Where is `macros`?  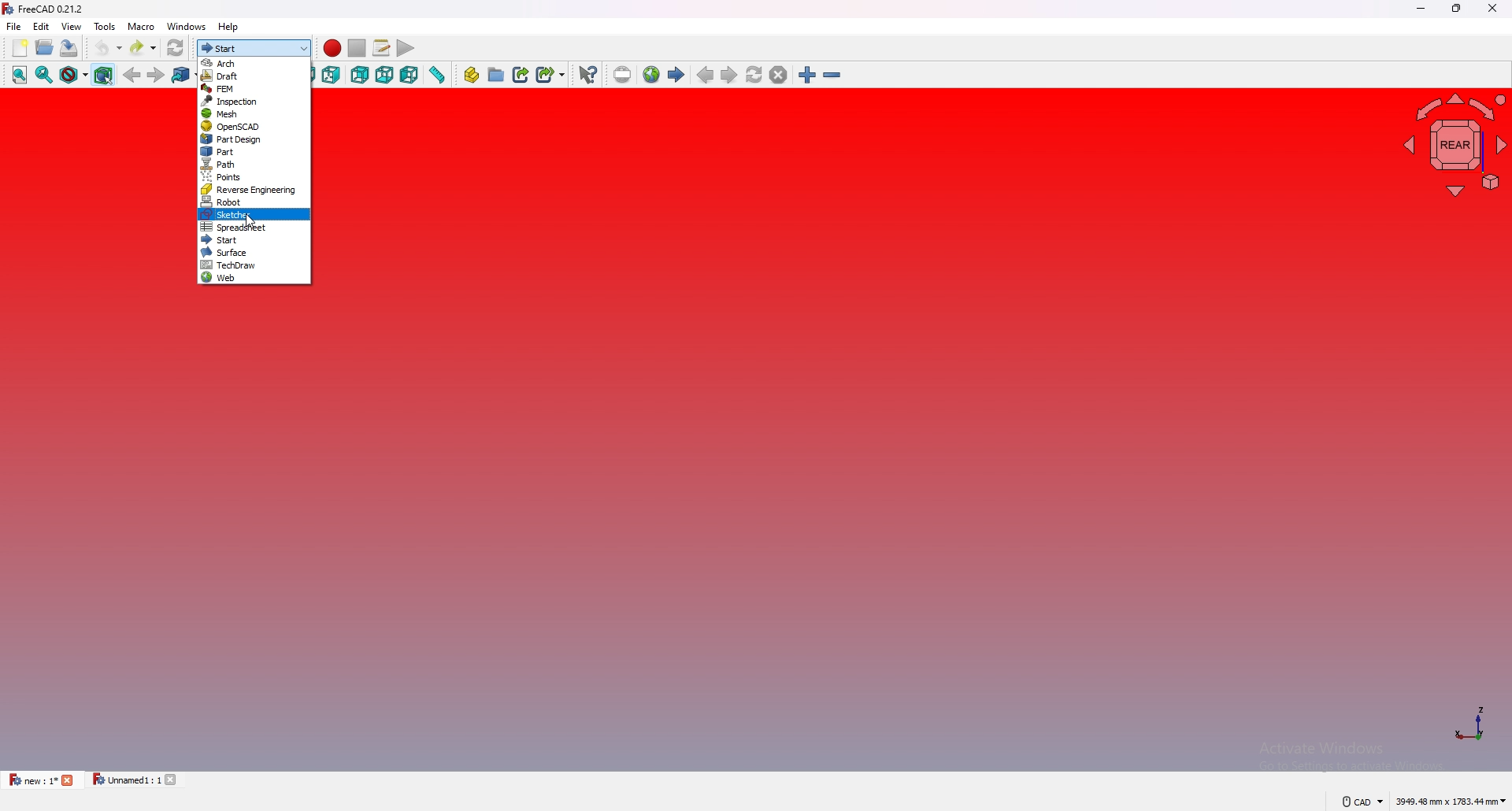 macros is located at coordinates (381, 48).